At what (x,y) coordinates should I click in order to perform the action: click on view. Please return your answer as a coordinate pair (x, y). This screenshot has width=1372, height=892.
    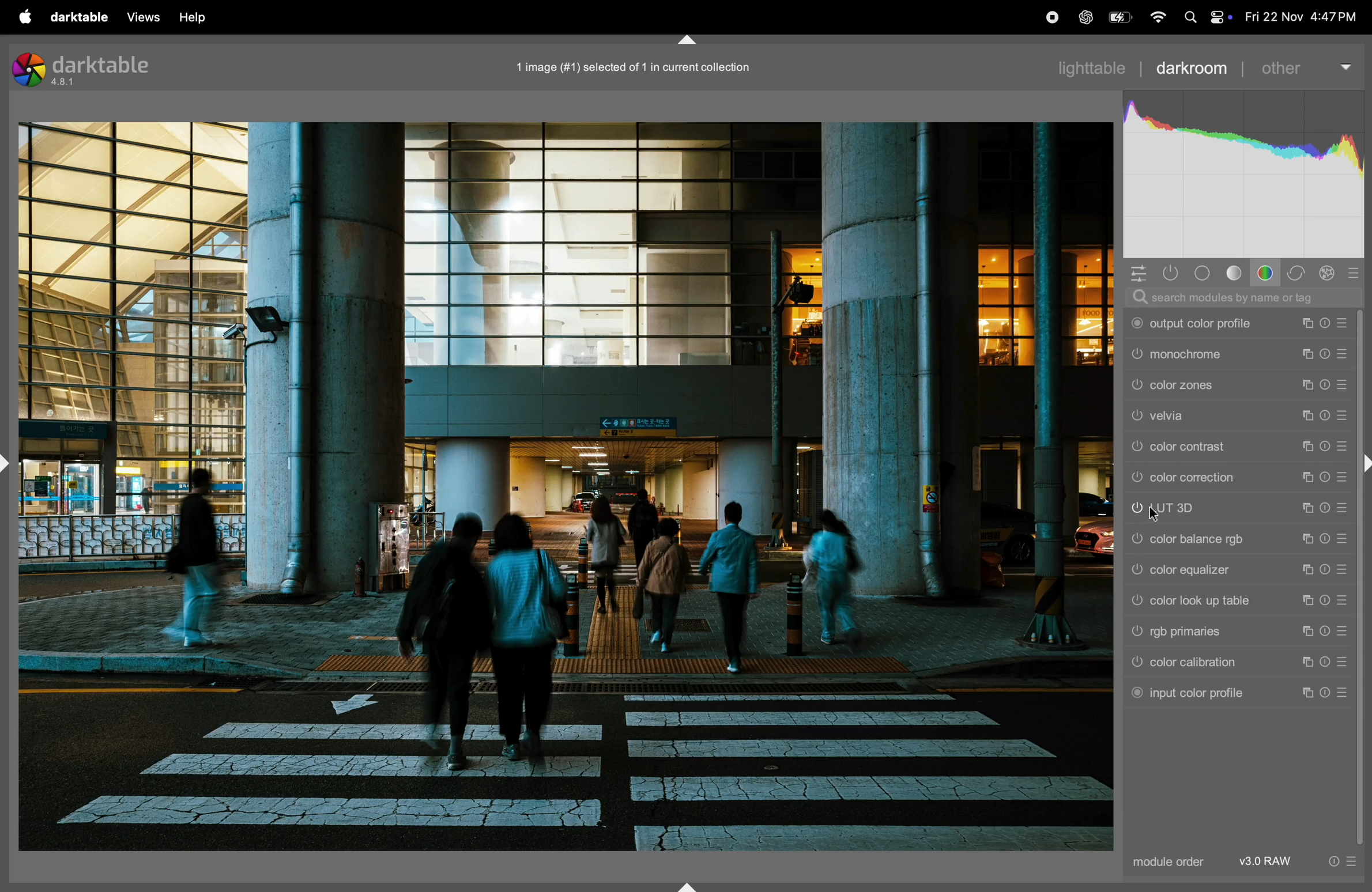
    Looking at the image, I should click on (200, 18).